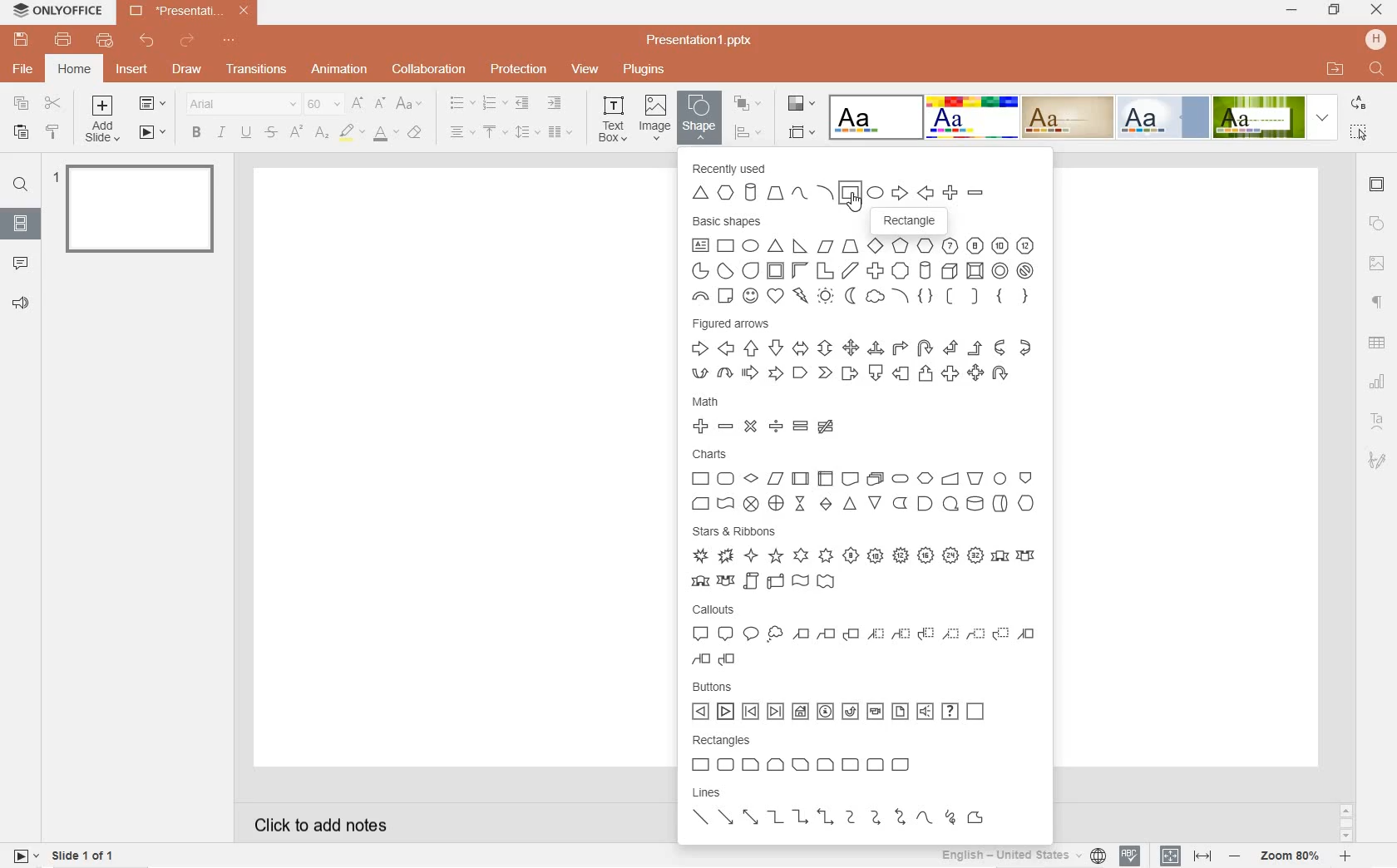 The height and width of the screenshot is (868, 1397). What do you see at coordinates (827, 505) in the screenshot?
I see `Sort` at bounding box center [827, 505].